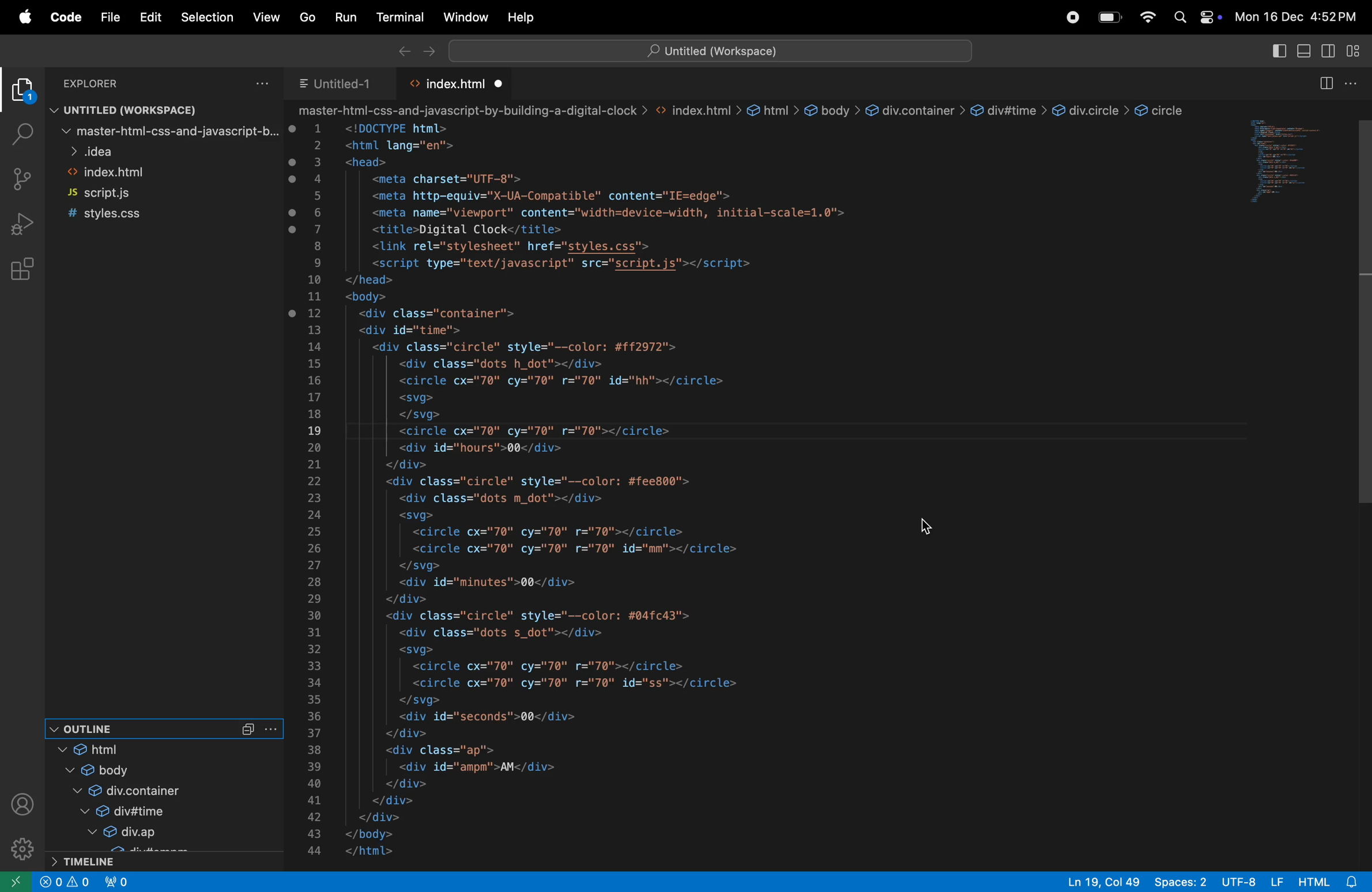 The height and width of the screenshot is (892, 1372). What do you see at coordinates (1325, 882) in the screenshot?
I see `html alert` at bounding box center [1325, 882].